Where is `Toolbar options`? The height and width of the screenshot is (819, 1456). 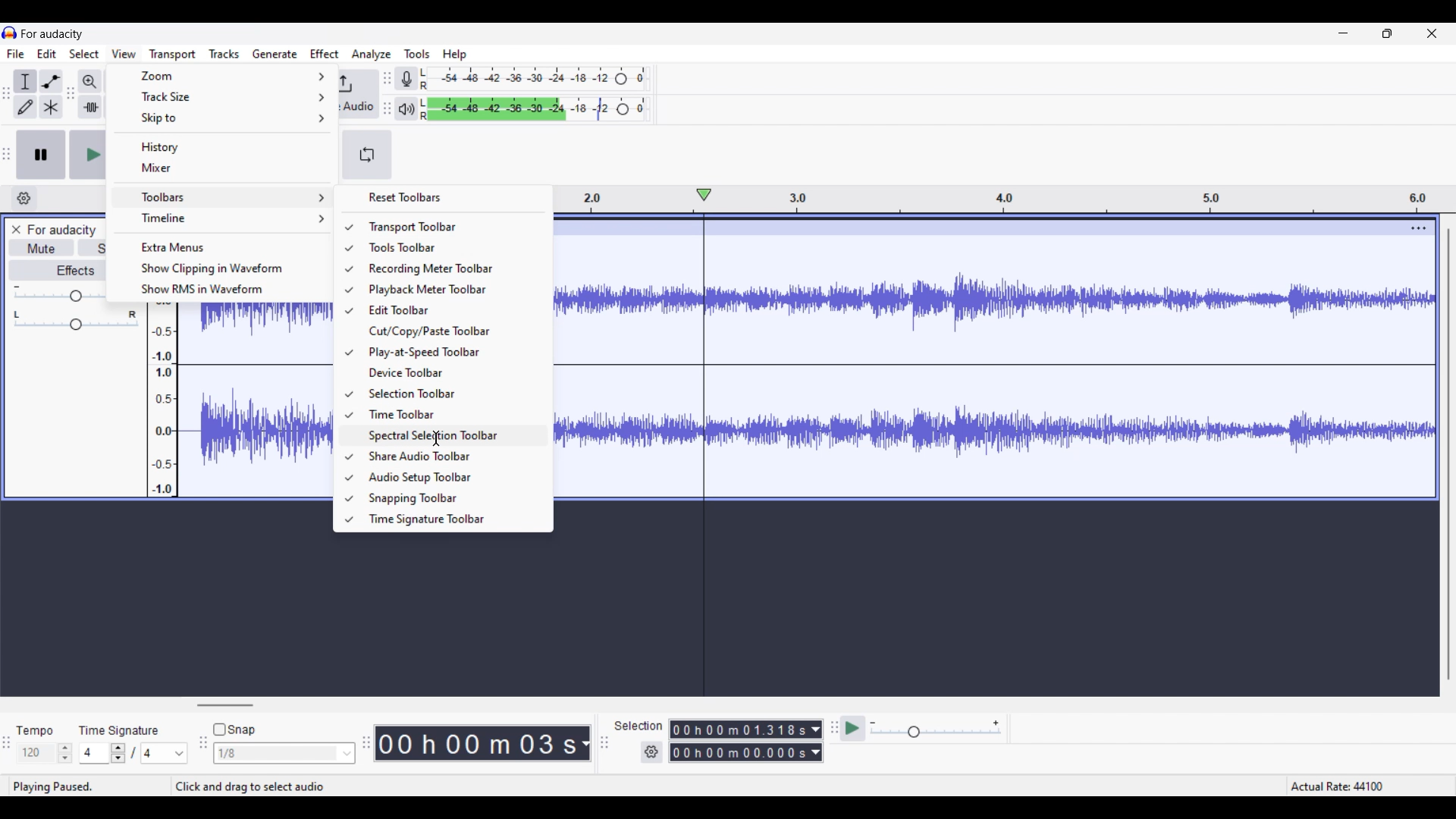 Toolbar options is located at coordinates (222, 197).